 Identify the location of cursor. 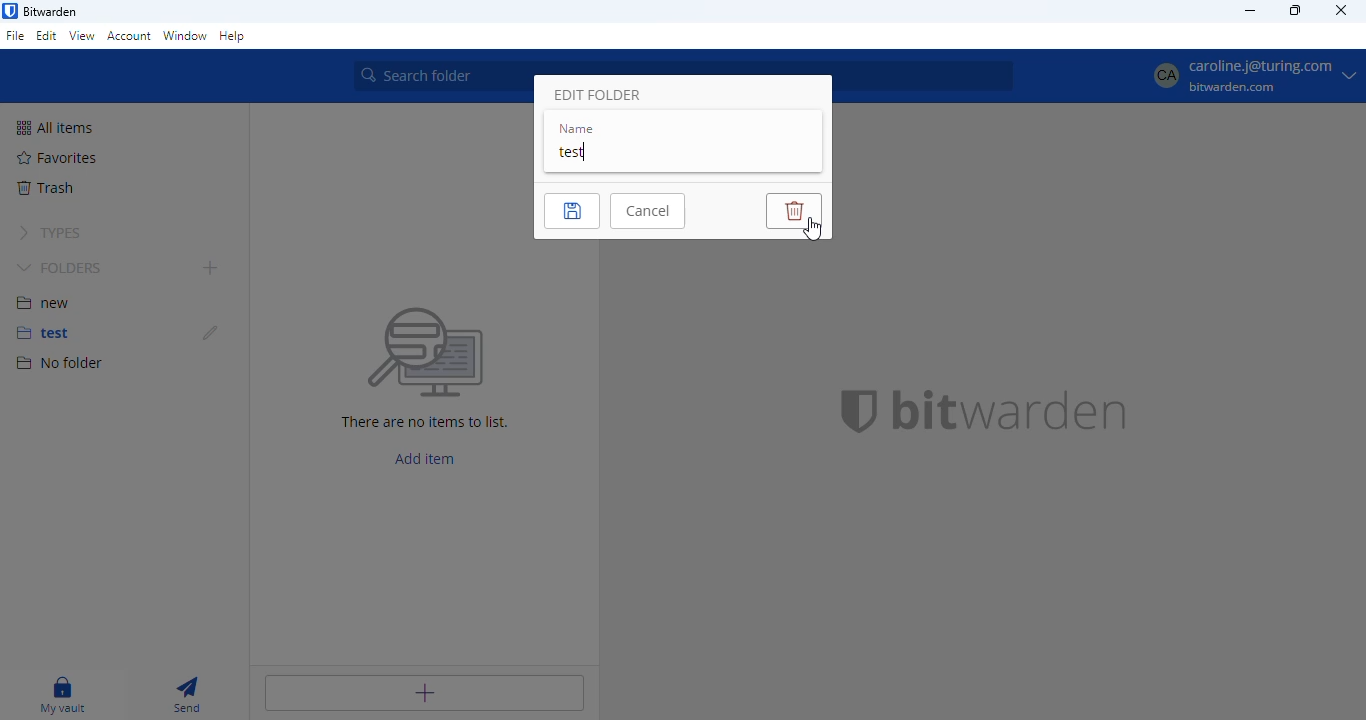
(812, 228).